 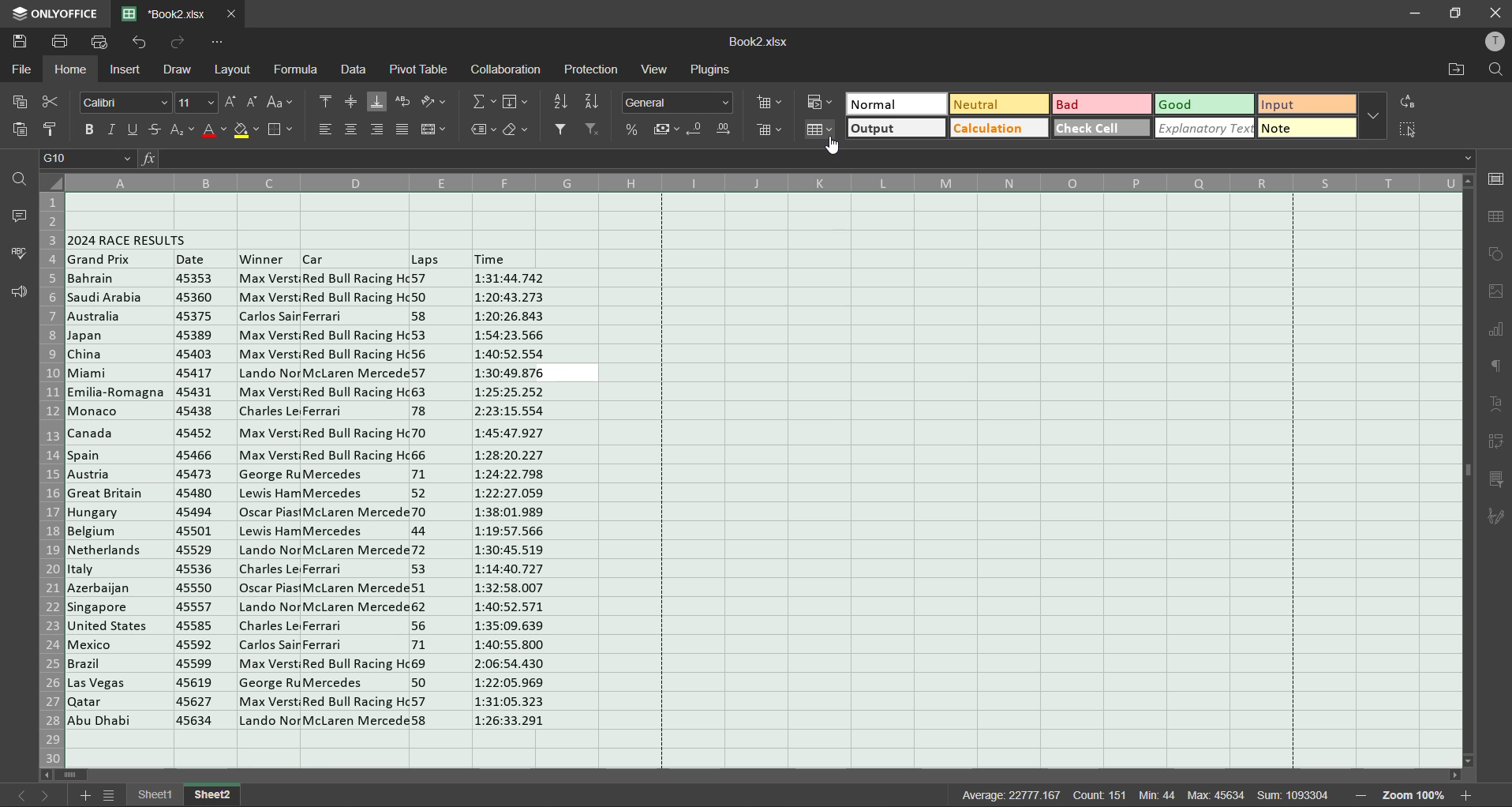 I want to click on zoom in, so click(x=1465, y=794).